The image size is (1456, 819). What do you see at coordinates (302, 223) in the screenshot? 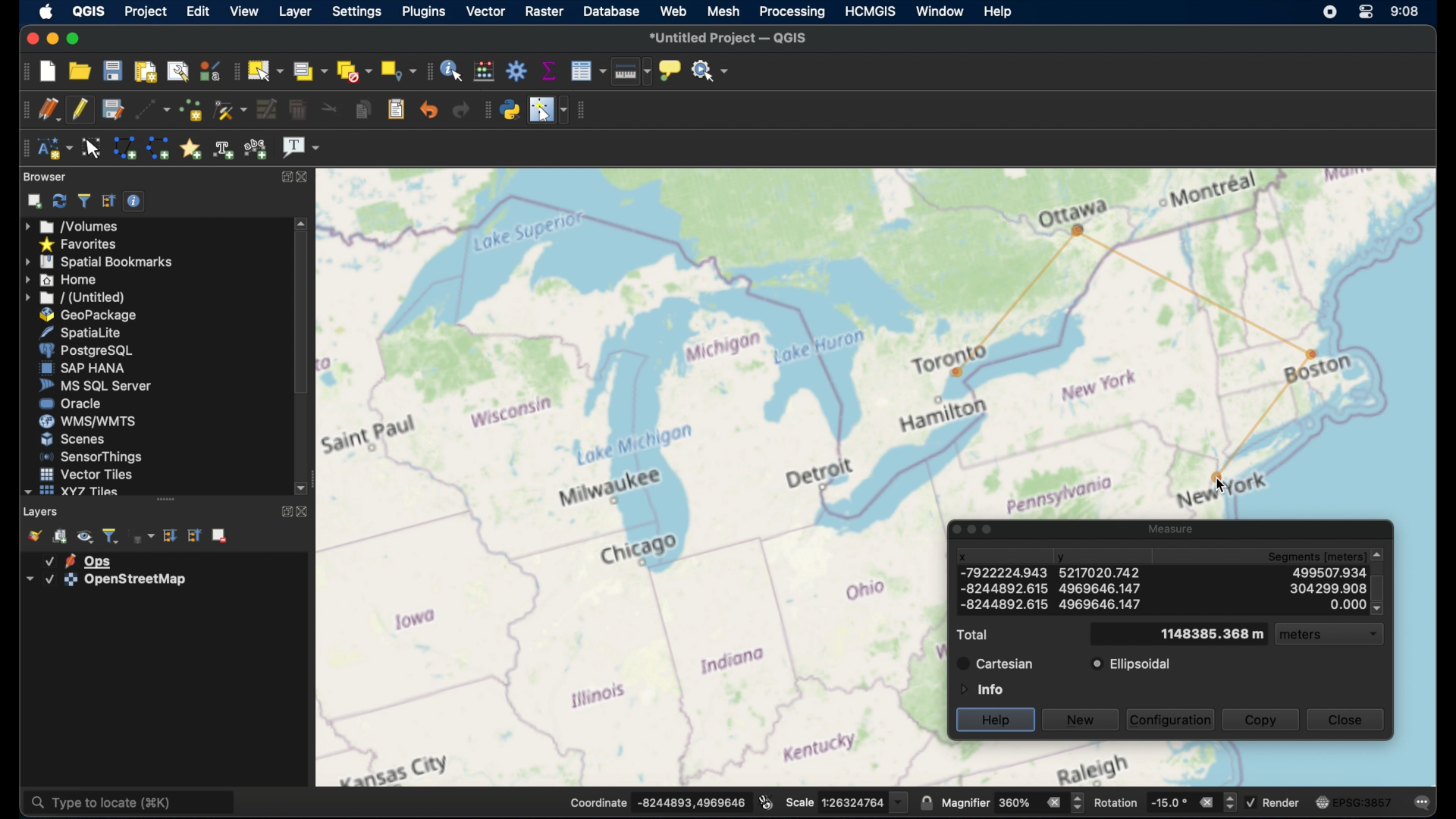
I see `scroll up arrow` at bounding box center [302, 223].